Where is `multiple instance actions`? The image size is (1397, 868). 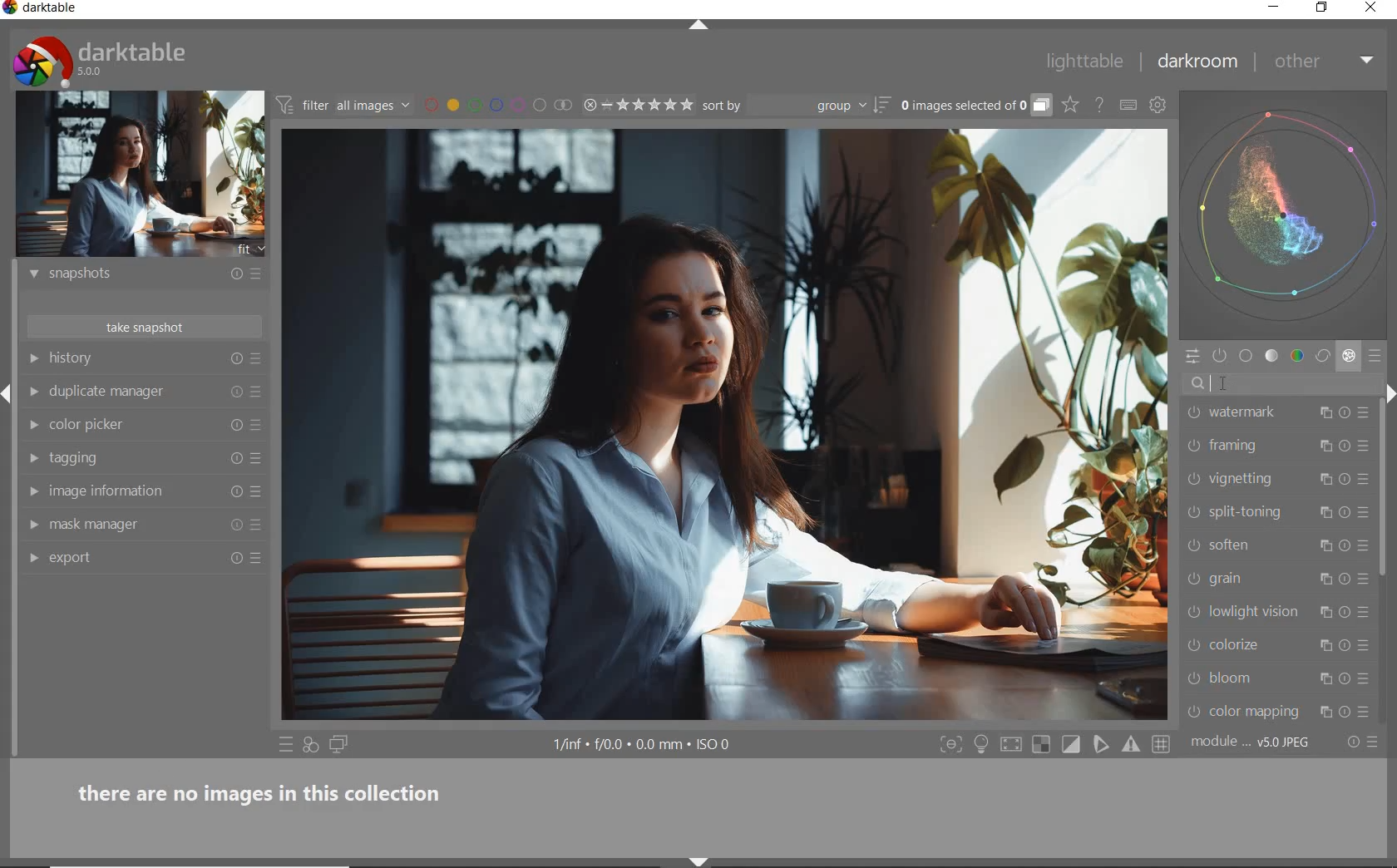 multiple instance actions is located at coordinates (1324, 678).